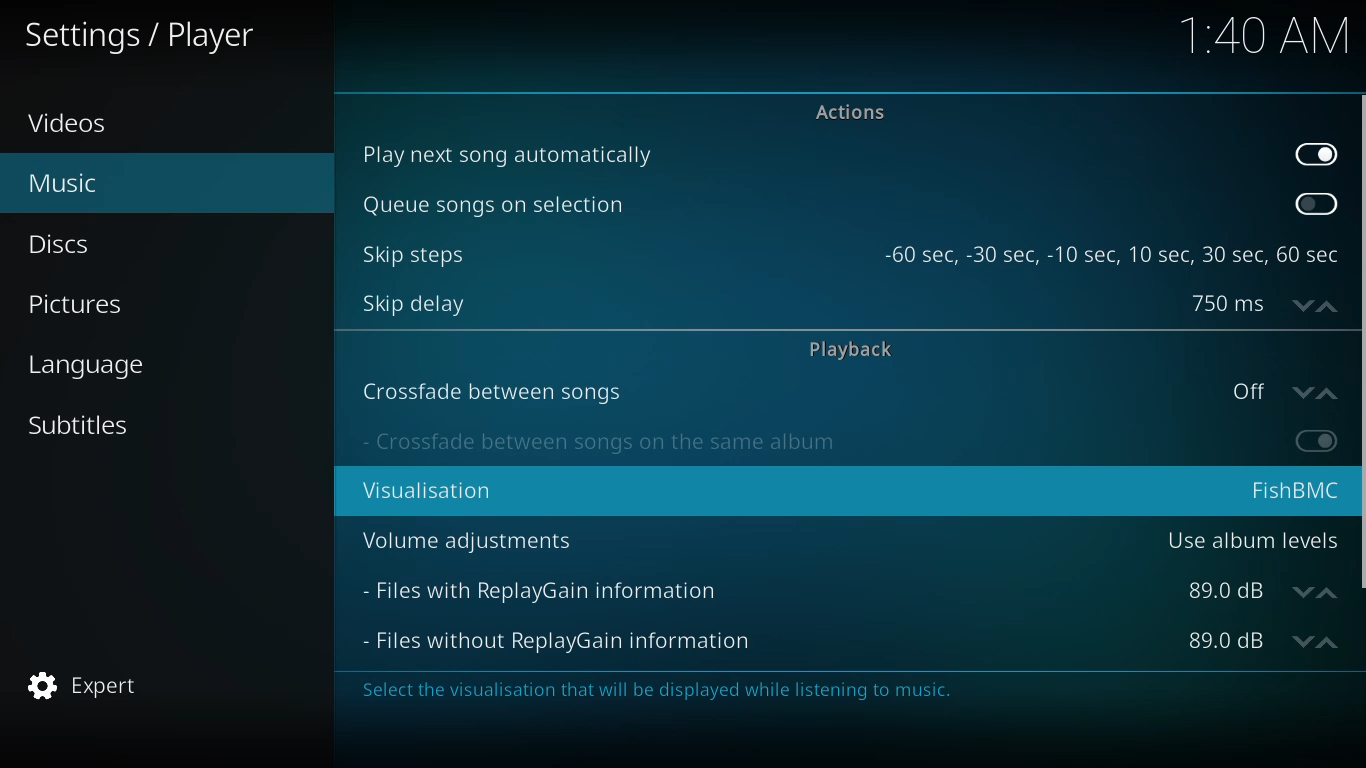 This screenshot has width=1366, height=768. Describe the element at coordinates (1312, 205) in the screenshot. I see `enable` at that location.